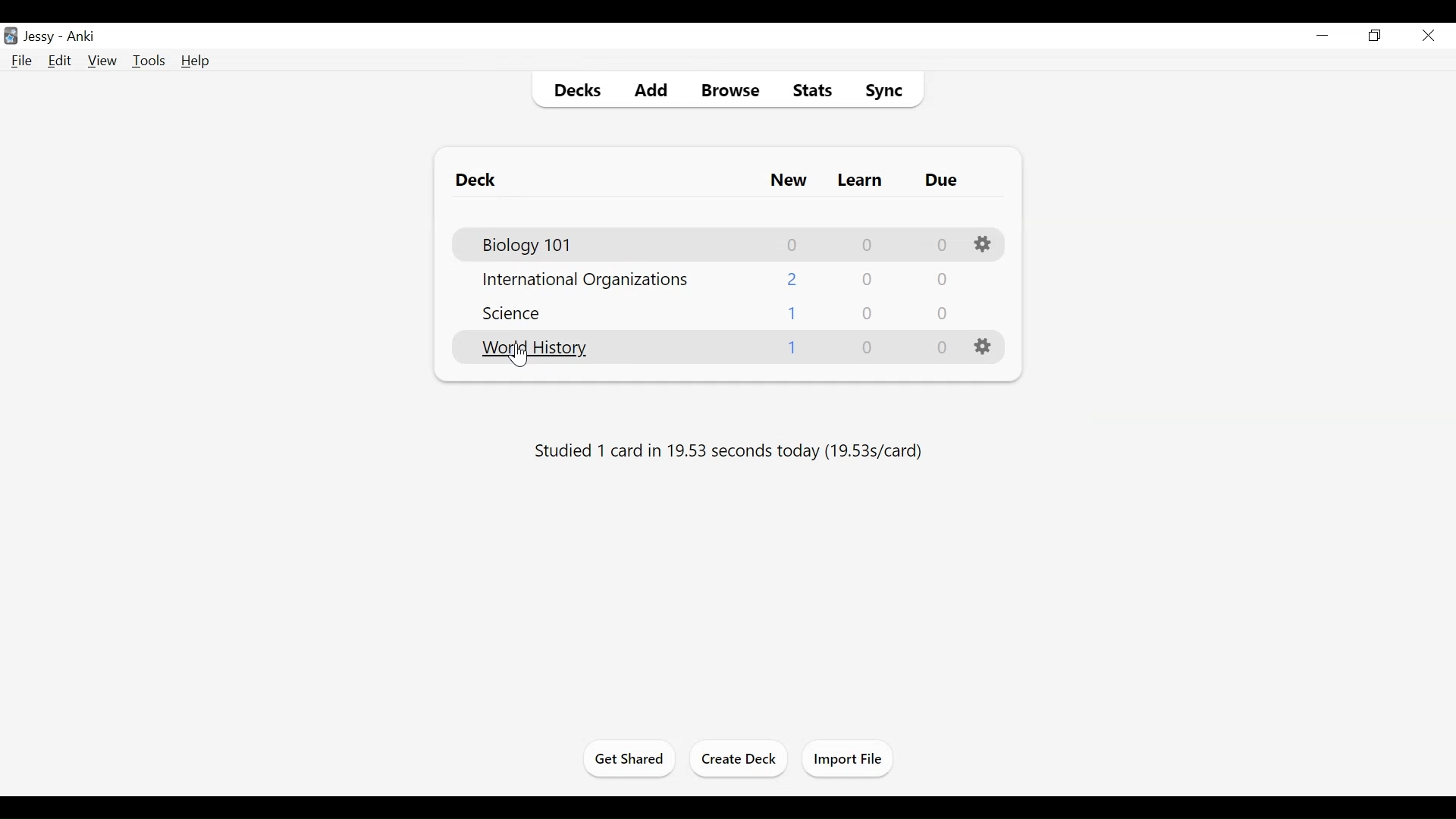 This screenshot has height=819, width=1456. I want to click on Learn Cards Count, so click(865, 244).